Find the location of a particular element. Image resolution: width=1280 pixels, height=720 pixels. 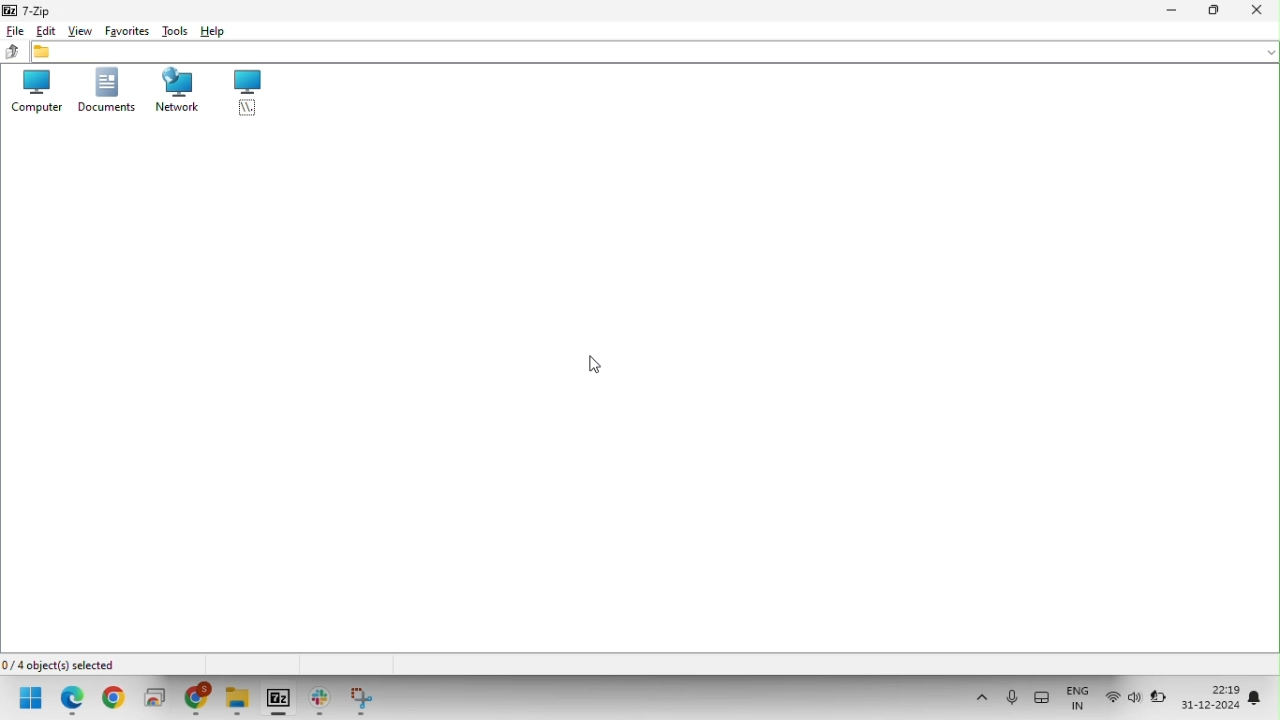

date and time is located at coordinates (1212, 697).